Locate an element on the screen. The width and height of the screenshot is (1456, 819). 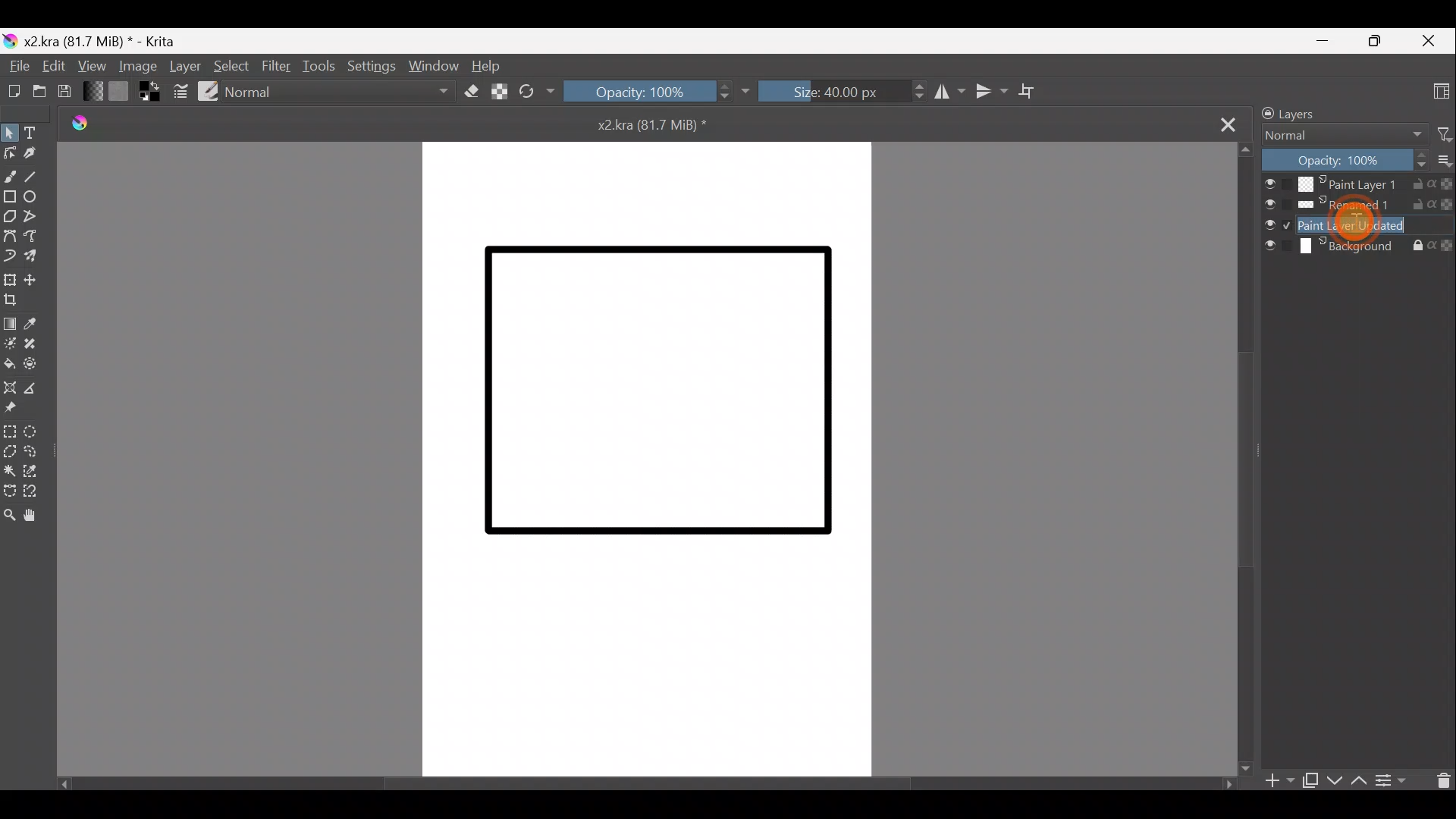
Contiguous selection tool is located at coordinates (9, 468).